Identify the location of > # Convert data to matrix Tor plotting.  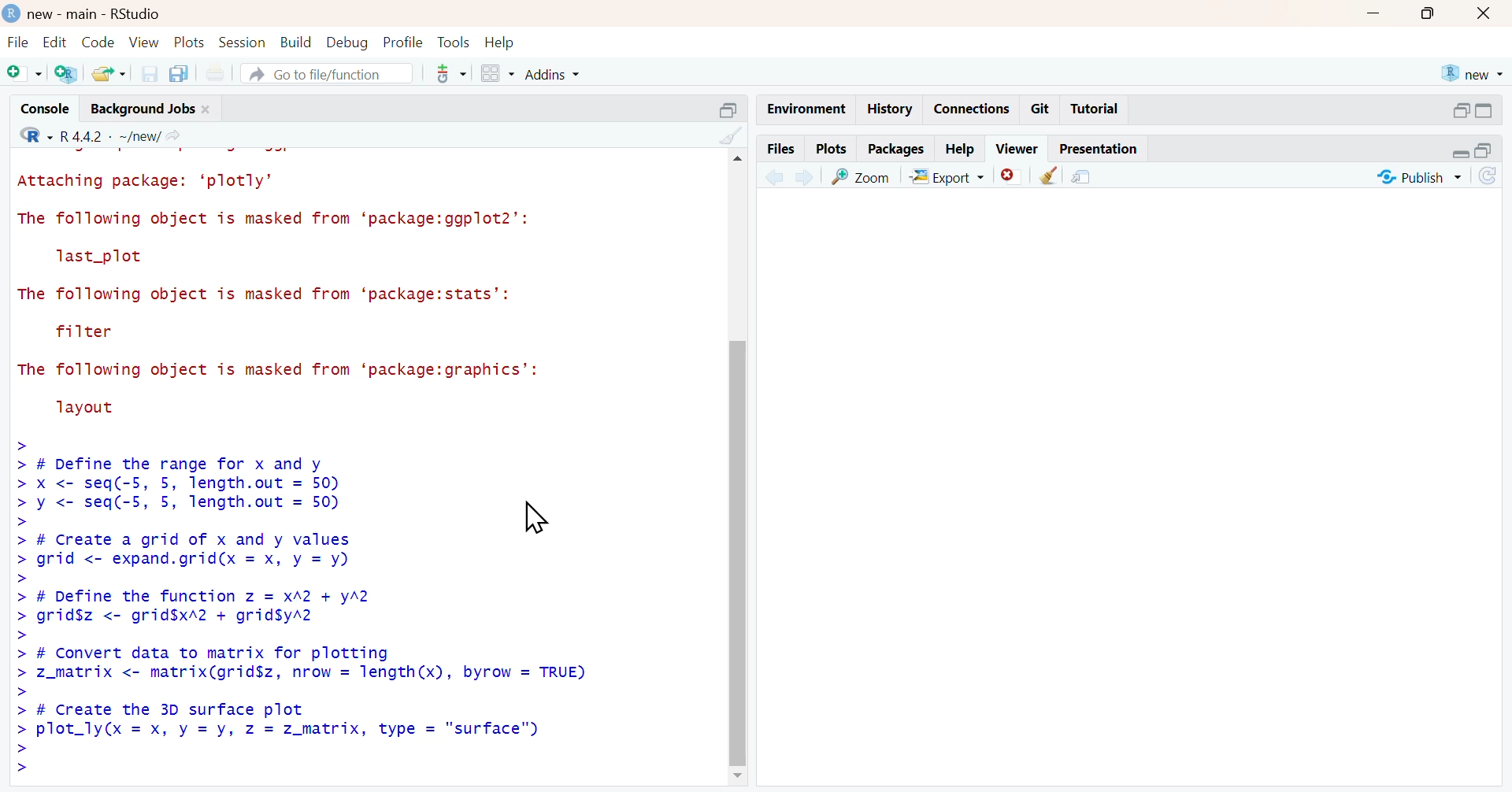
(247, 652).